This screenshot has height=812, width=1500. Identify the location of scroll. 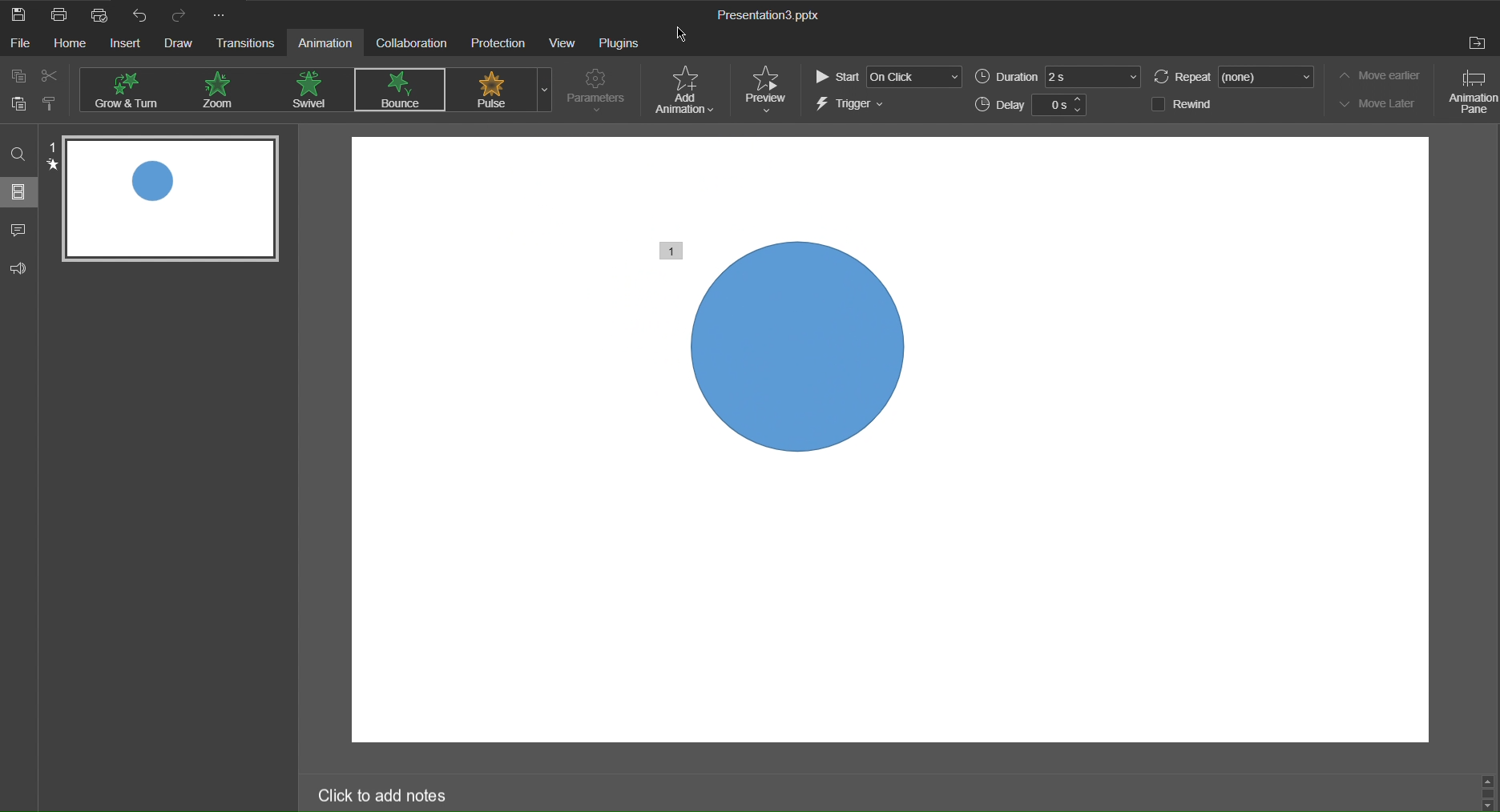
(1487, 791).